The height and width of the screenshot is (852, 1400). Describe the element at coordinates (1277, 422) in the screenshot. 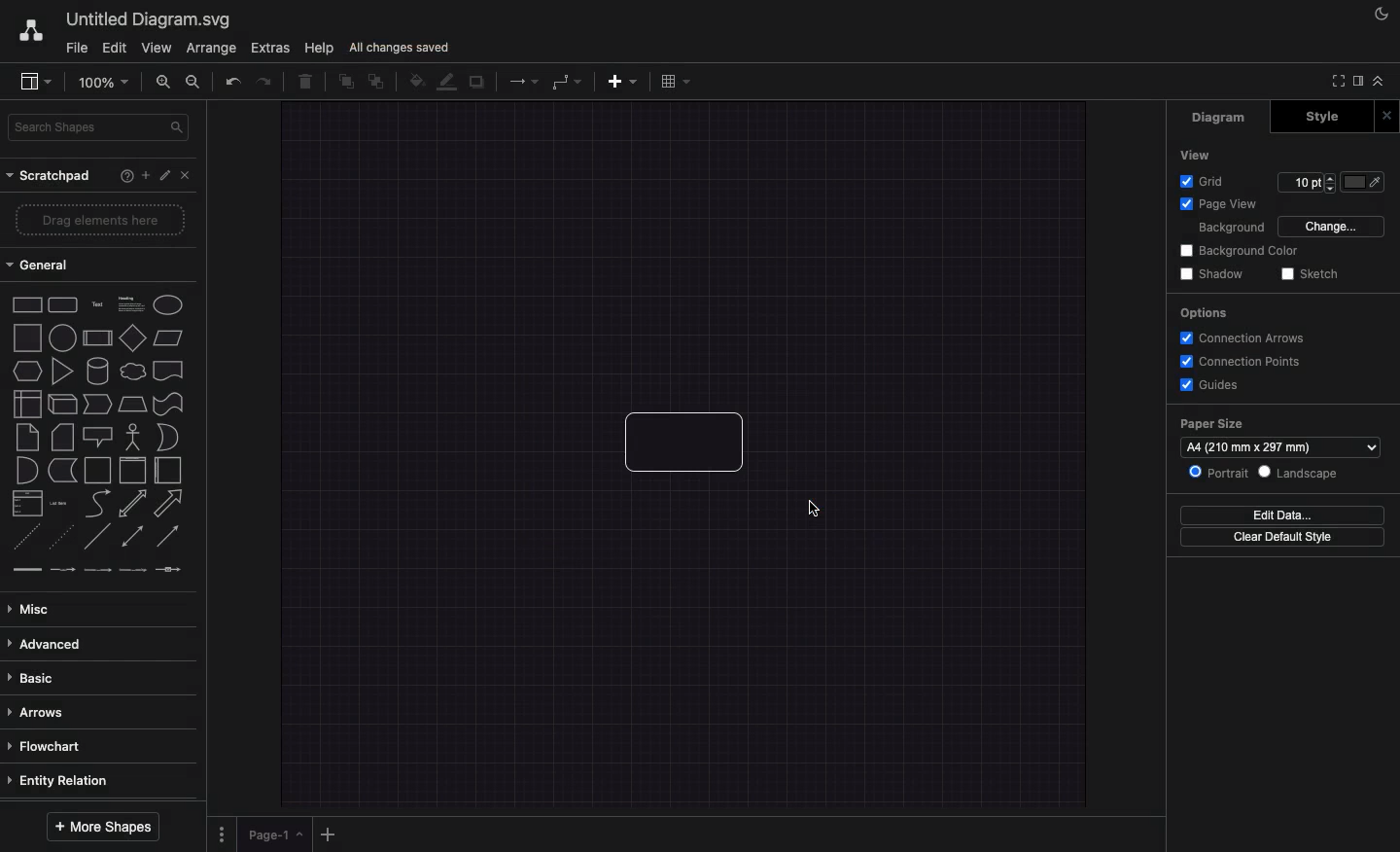

I see `Paper size` at that location.